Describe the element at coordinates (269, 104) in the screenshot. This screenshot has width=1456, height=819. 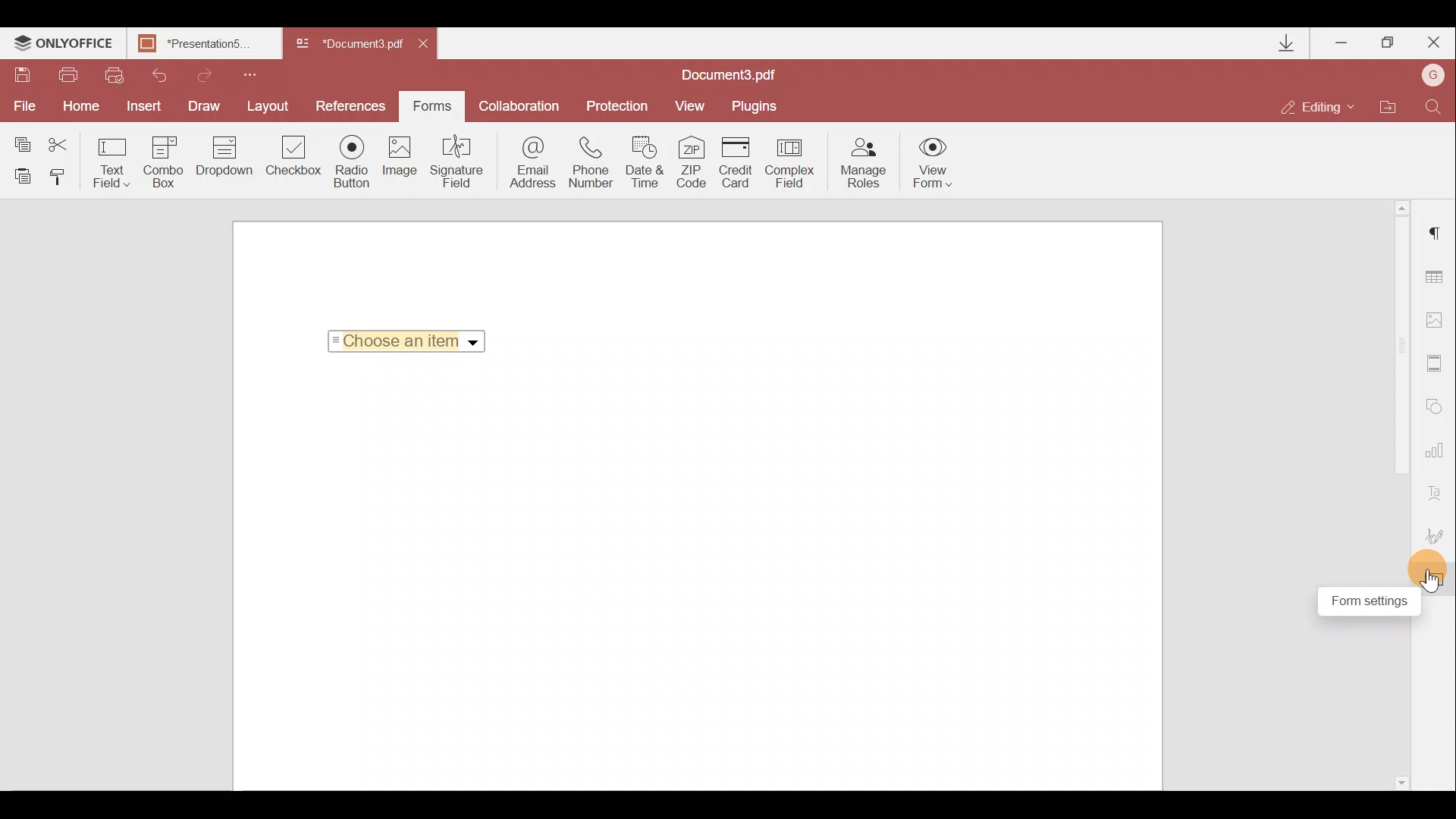
I see `Layout` at that location.